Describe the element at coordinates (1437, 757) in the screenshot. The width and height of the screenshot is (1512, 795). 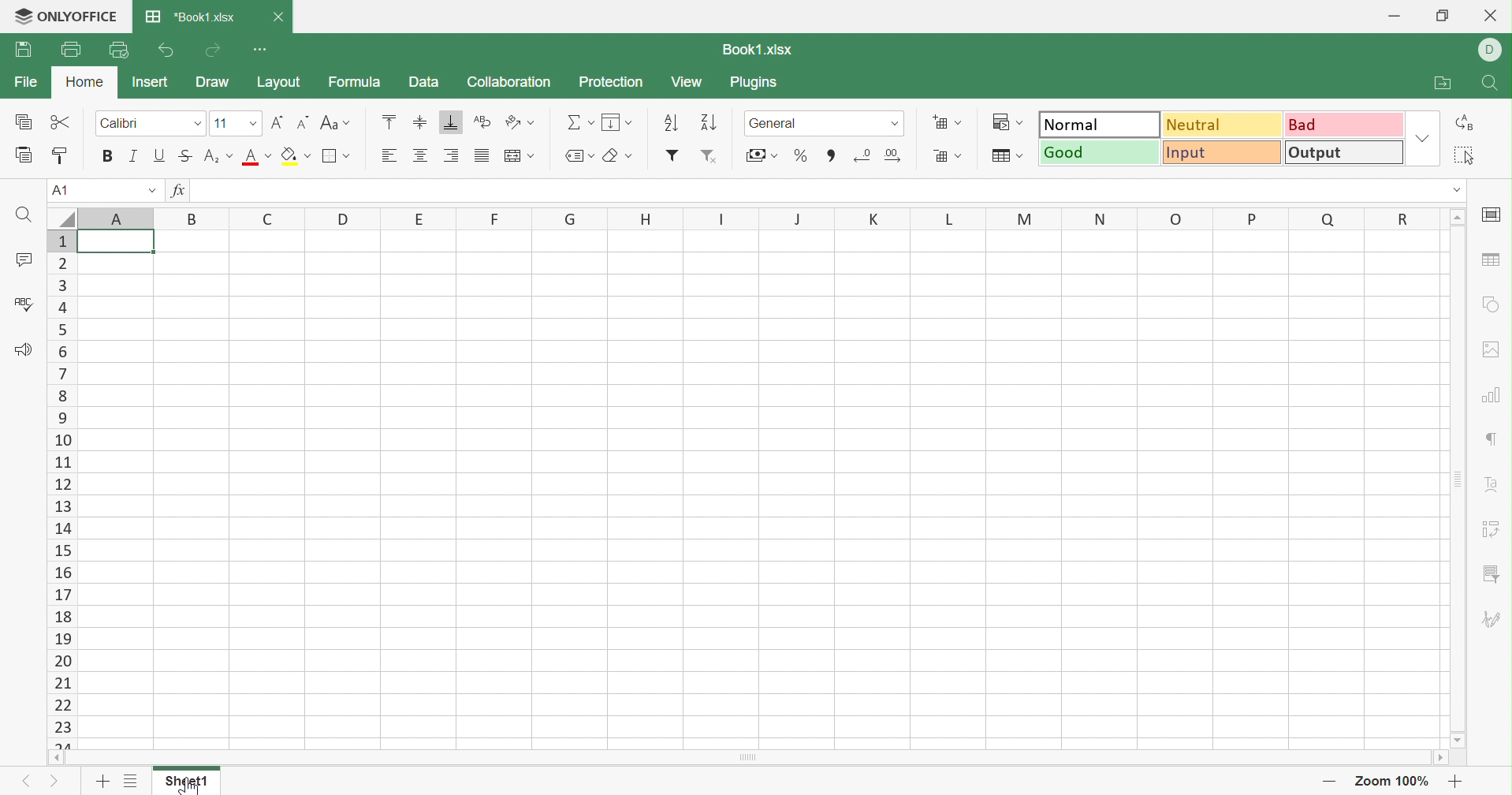
I see `Scroll Right` at that location.